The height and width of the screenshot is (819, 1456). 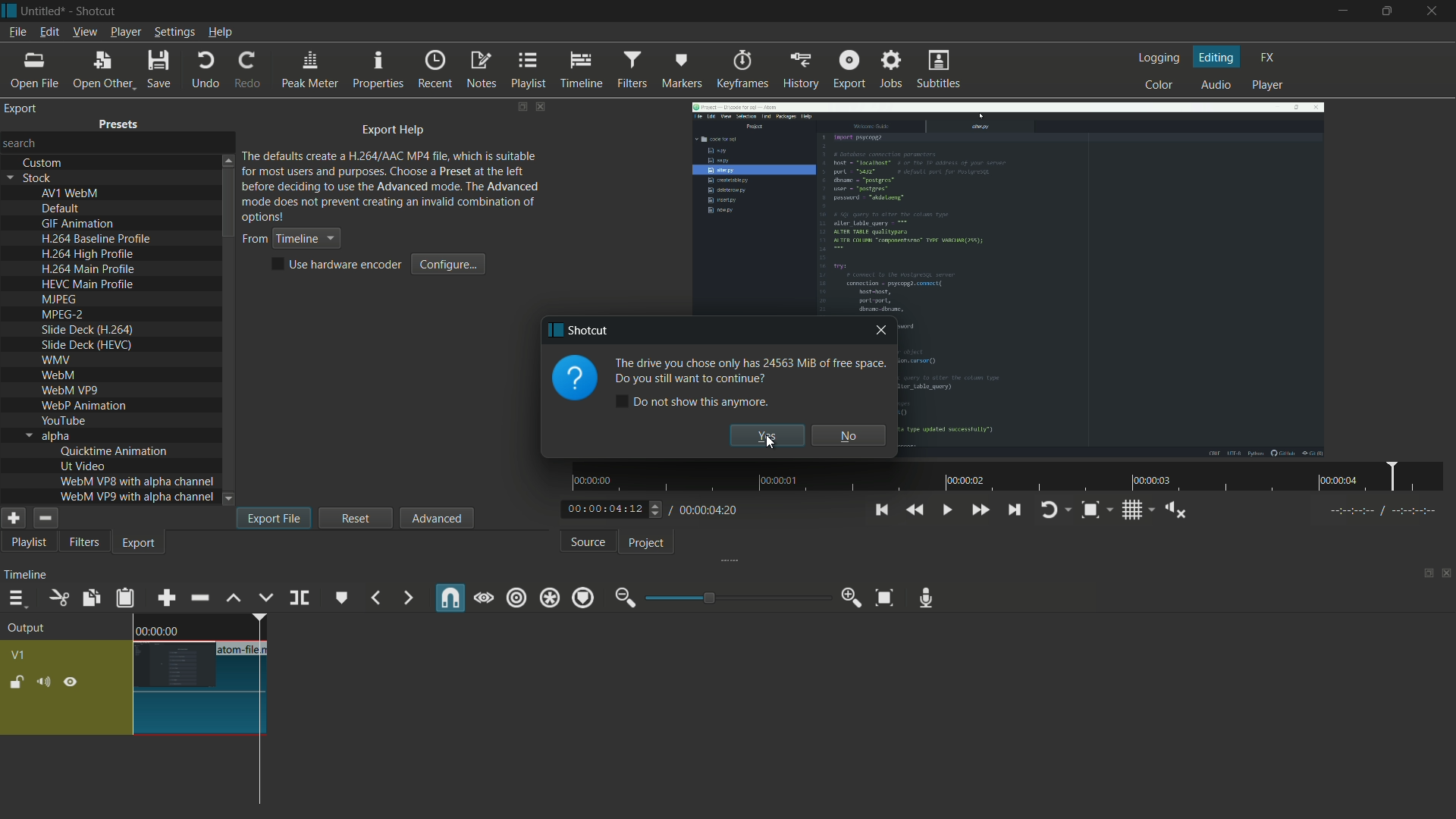 I want to click on peak meter, so click(x=310, y=71).